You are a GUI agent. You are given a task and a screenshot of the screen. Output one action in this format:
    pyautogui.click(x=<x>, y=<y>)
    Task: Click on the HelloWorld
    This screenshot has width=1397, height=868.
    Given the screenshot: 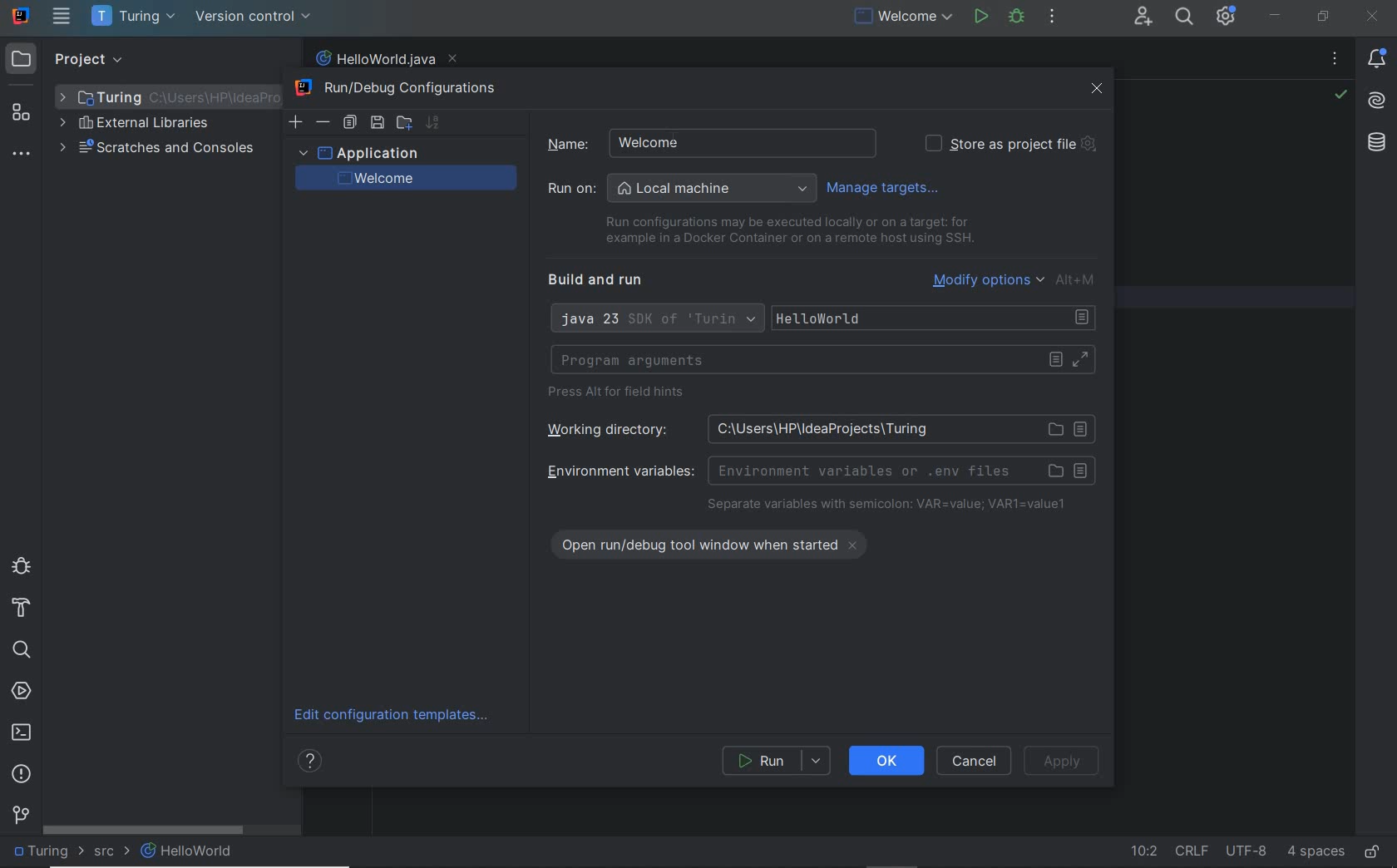 What is the action you would take?
    pyautogui.click(x=188, y=851)
    